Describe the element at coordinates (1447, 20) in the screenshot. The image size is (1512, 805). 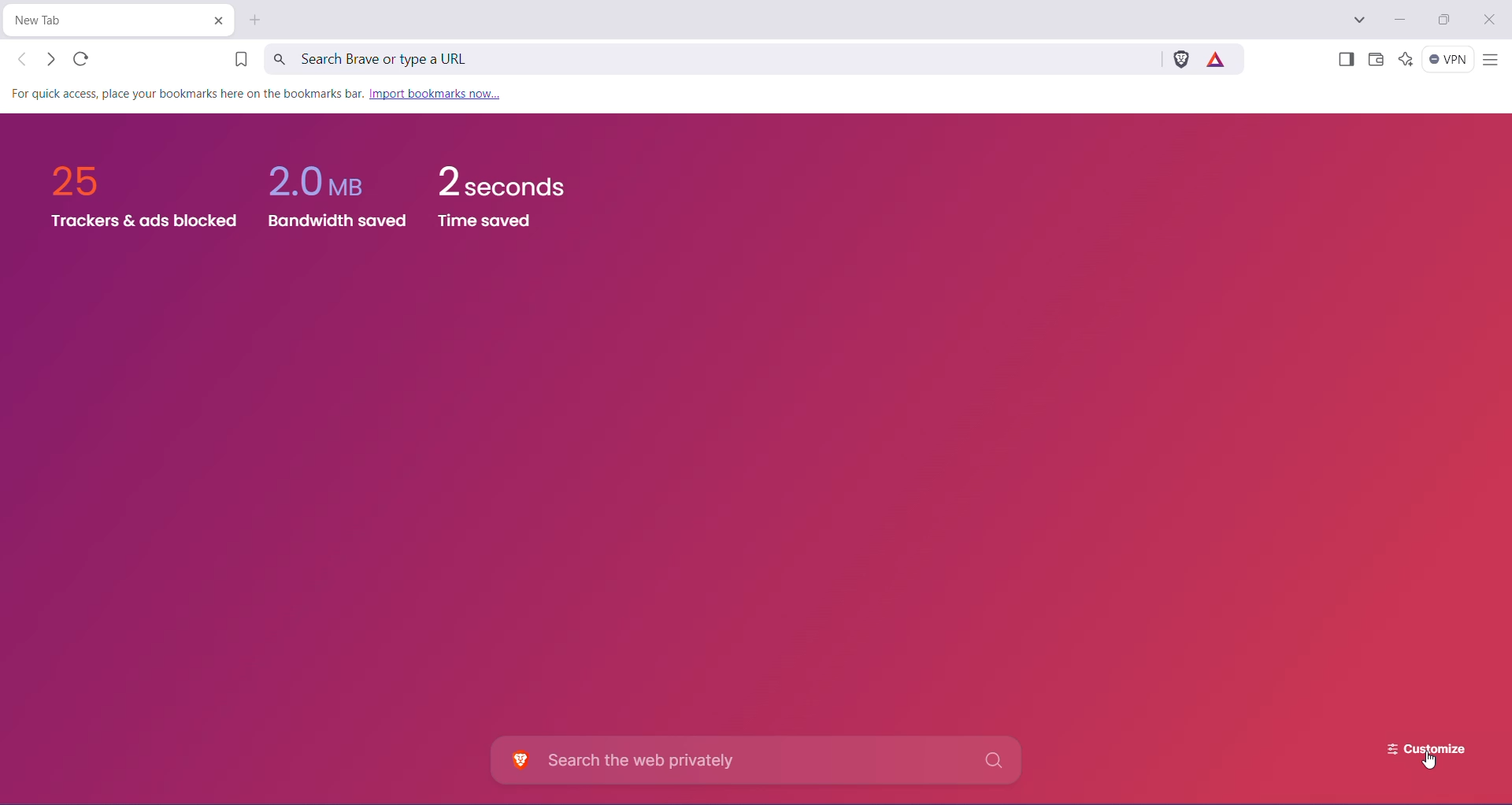
I see `Restore Down` at that location.